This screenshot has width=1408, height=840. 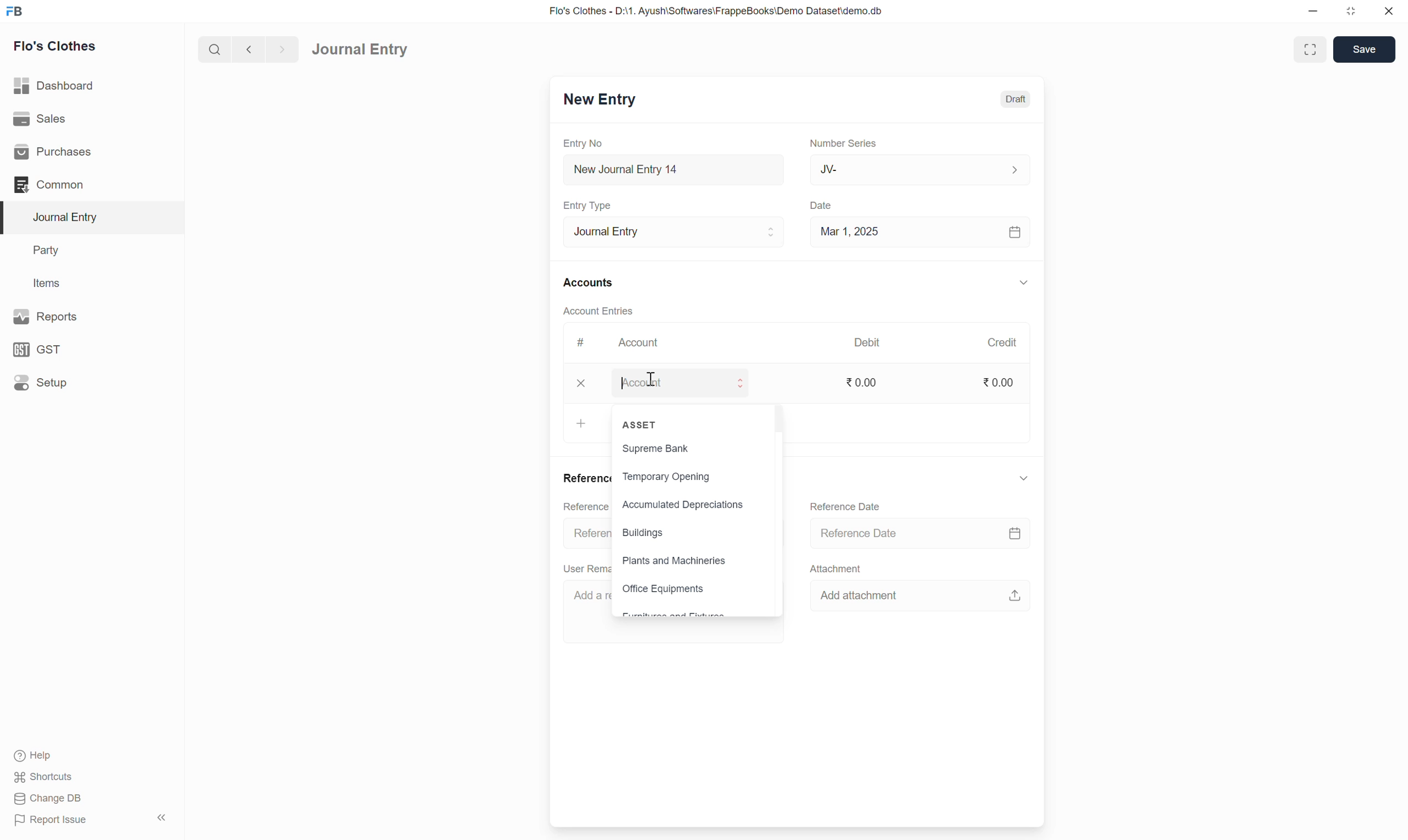 What do you see at coordinates (587, 478) in the screenshot?
I see `Reference` at bounding box center [587, 478].